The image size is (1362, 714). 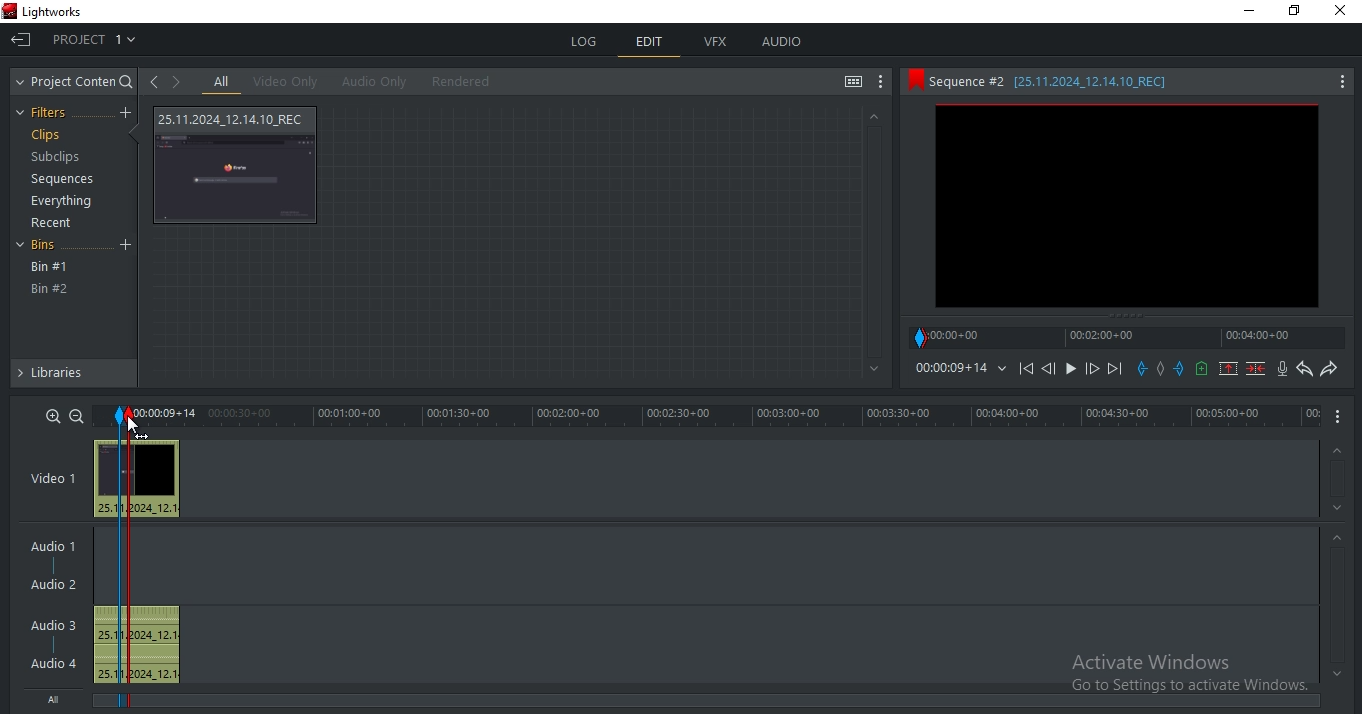 I want to click on edit, so click(x=649, y=43).